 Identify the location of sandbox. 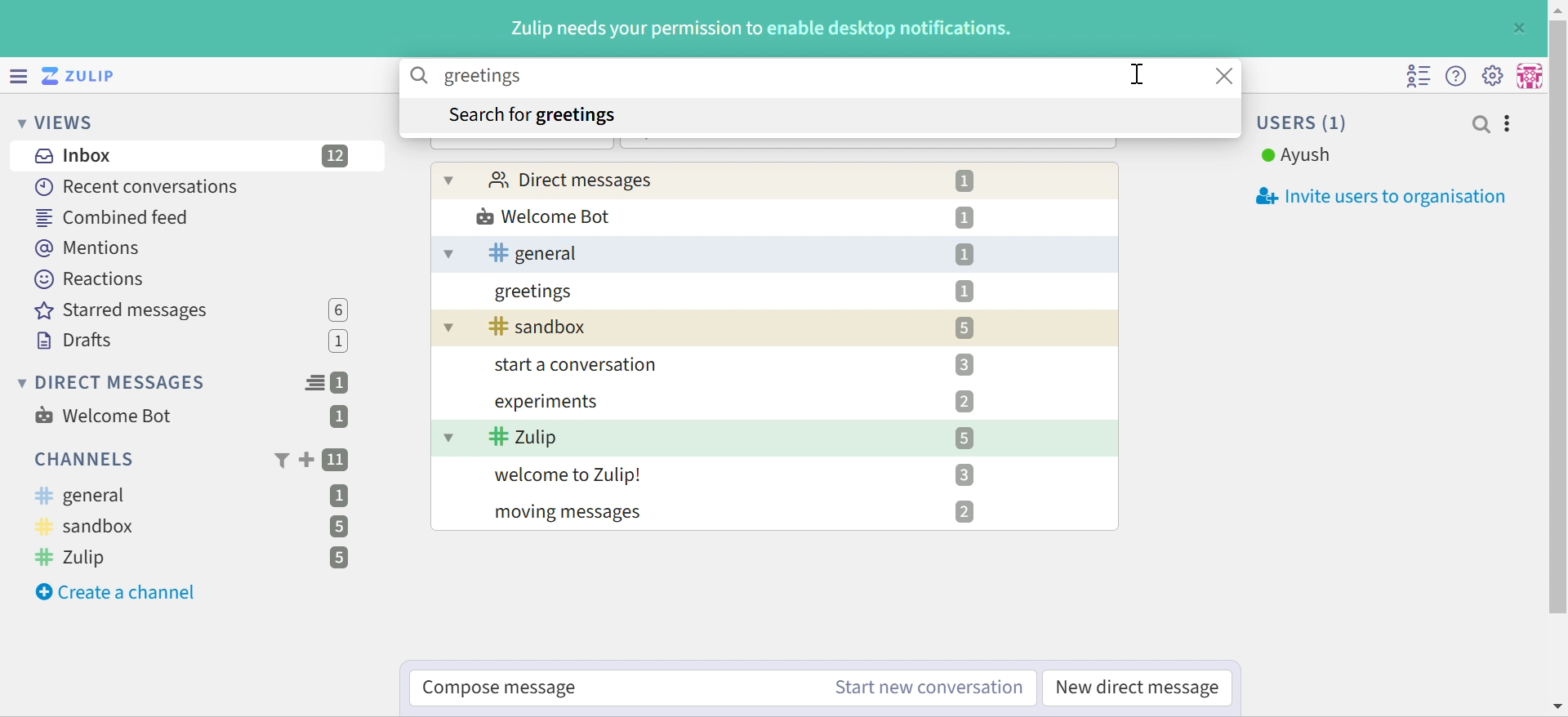
(542, 326).